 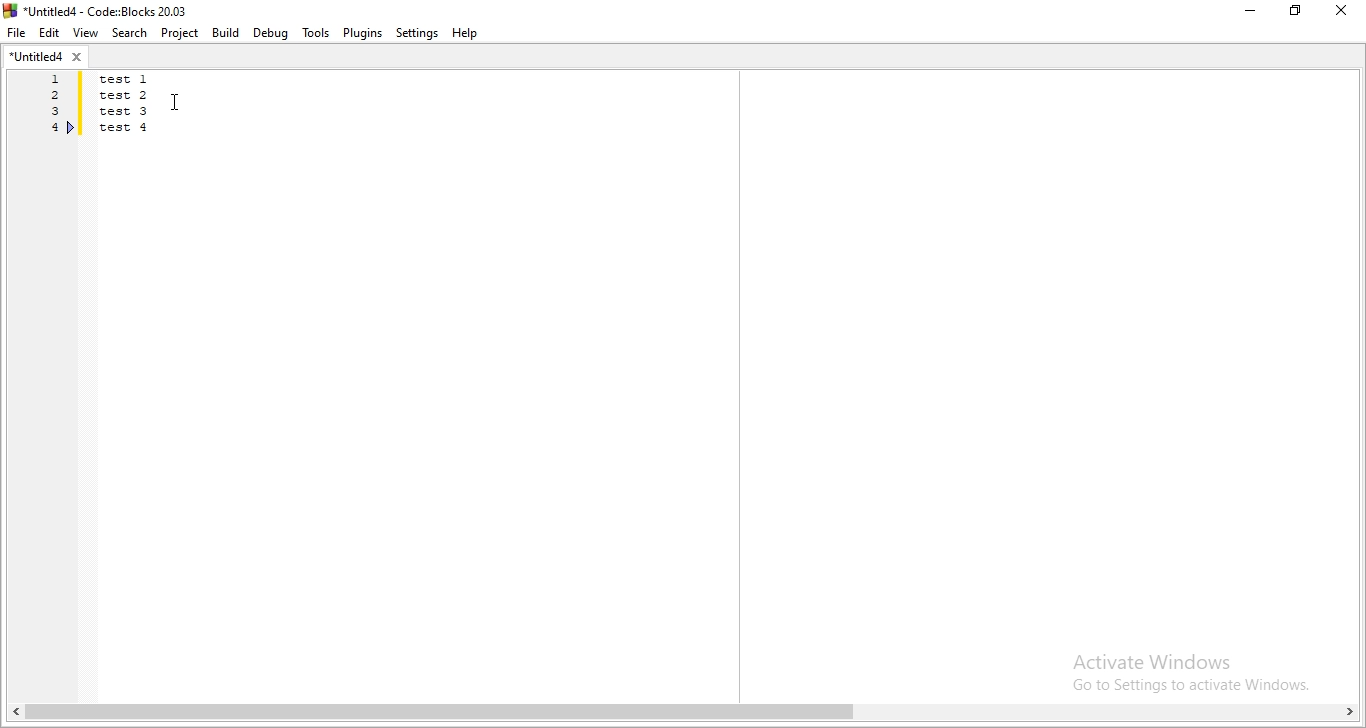 What do you see at coordinates (1346, 12) in the screenshot?
I see `close` at bounding box center [1346, 12].